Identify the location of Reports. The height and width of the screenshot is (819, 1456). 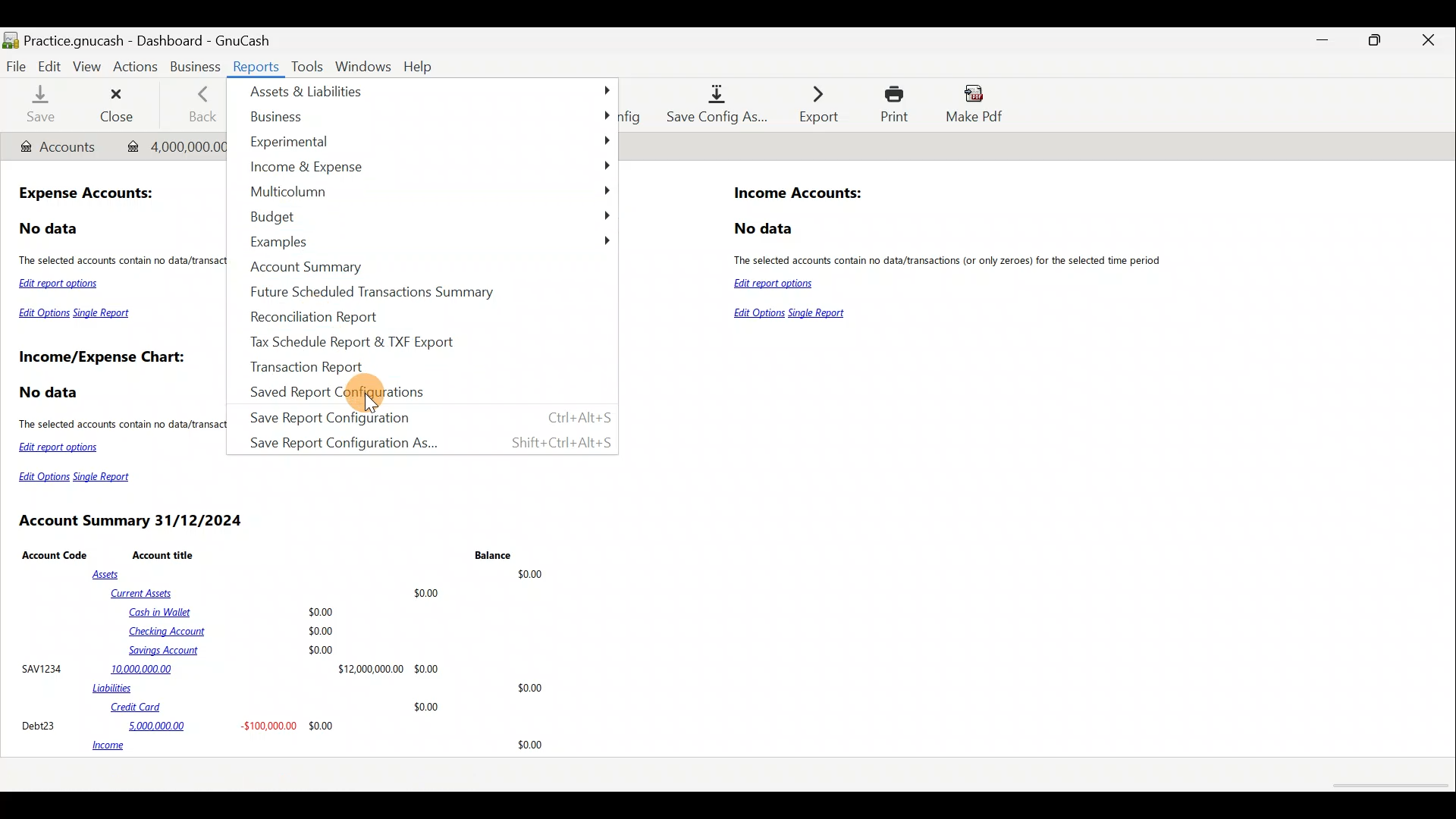
(254, 65).